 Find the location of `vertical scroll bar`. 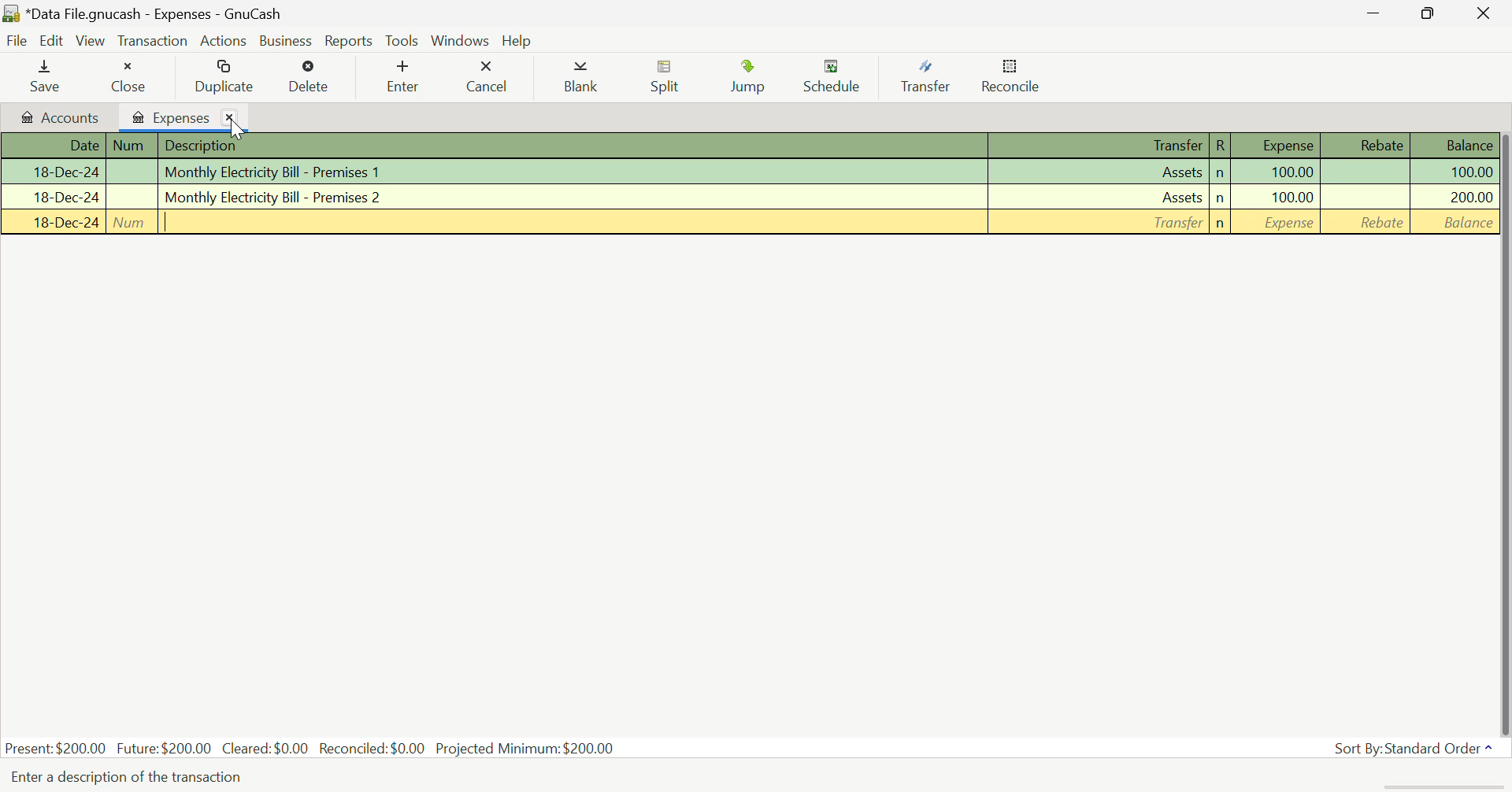

vertical scroll bar is located at coordinates (1503, 431).